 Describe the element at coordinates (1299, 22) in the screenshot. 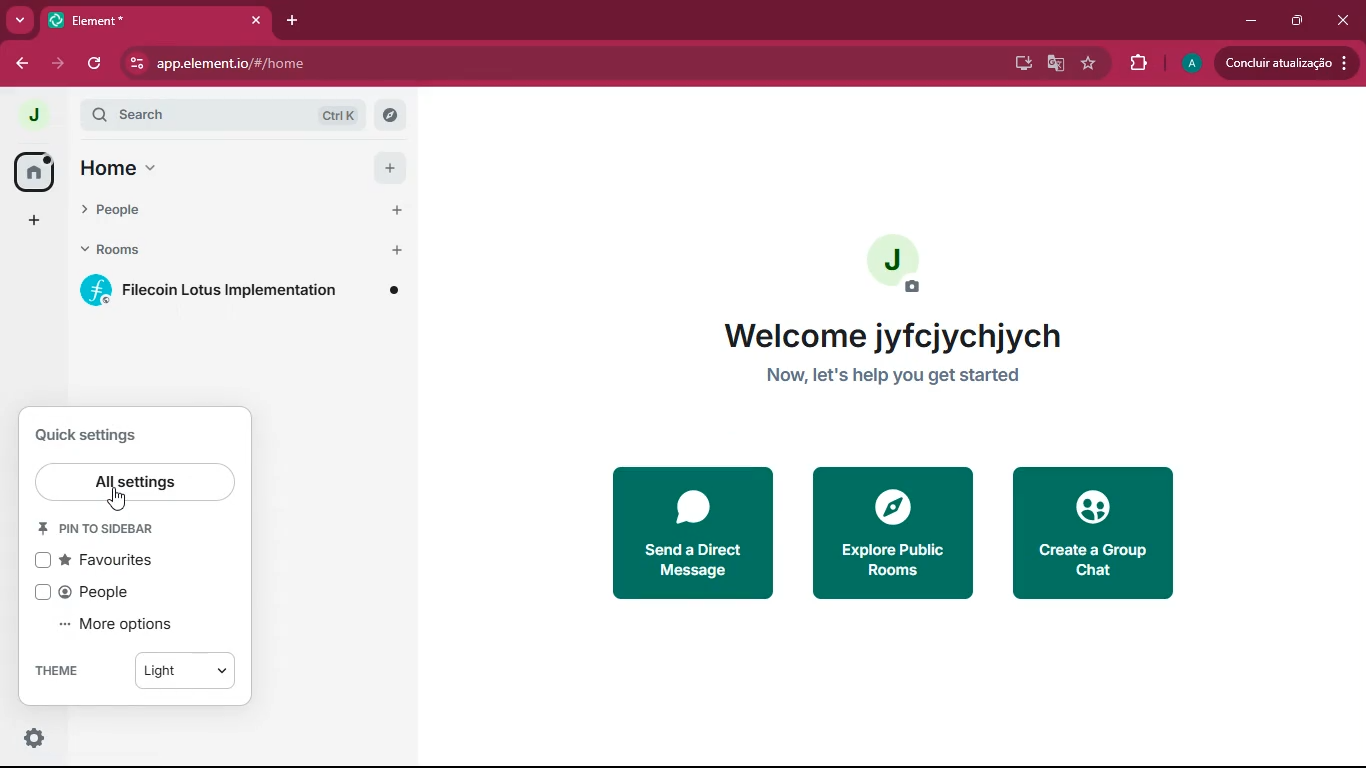

I see `maximize` at that location.